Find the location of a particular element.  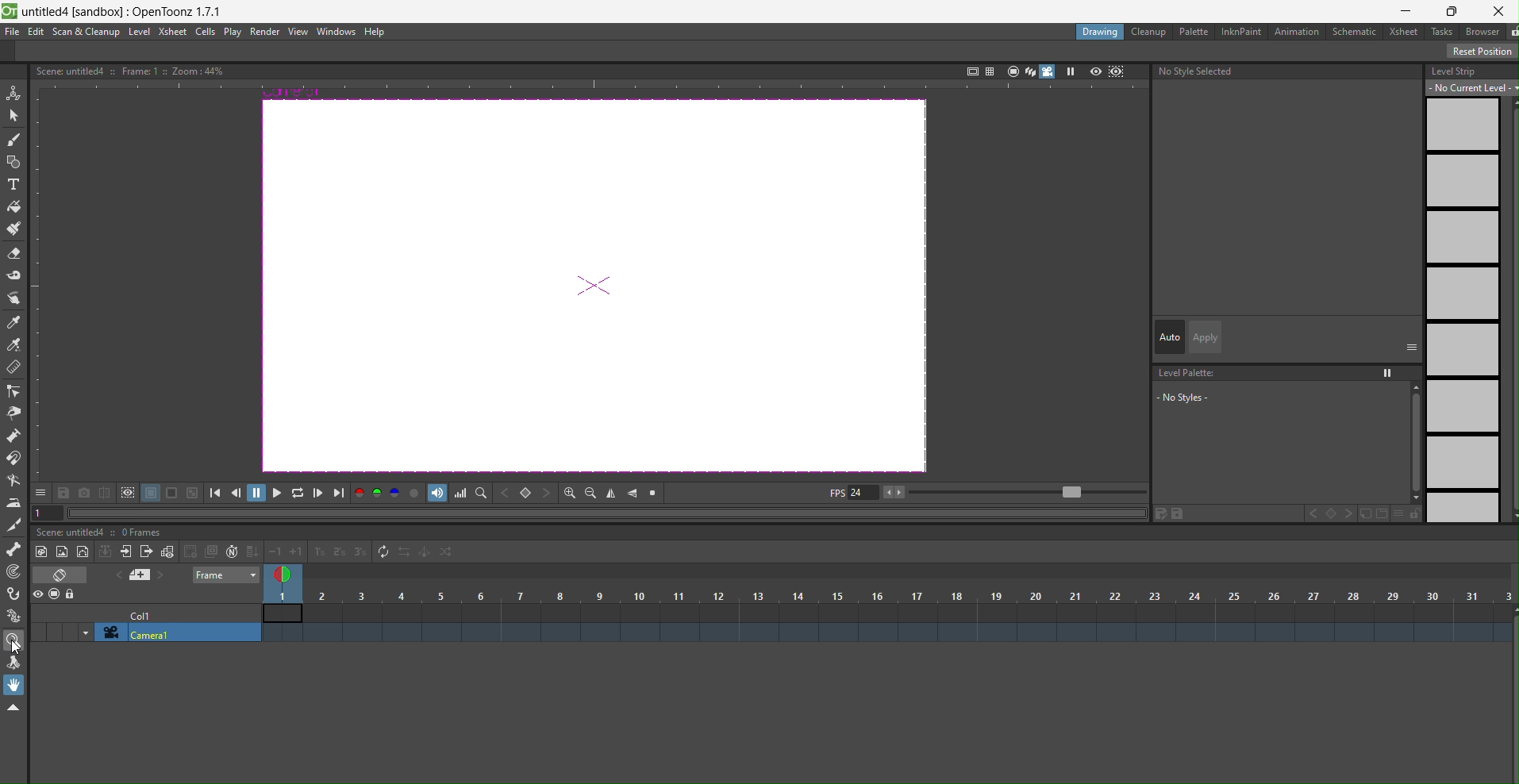

level is located at coordinates (140, 31).